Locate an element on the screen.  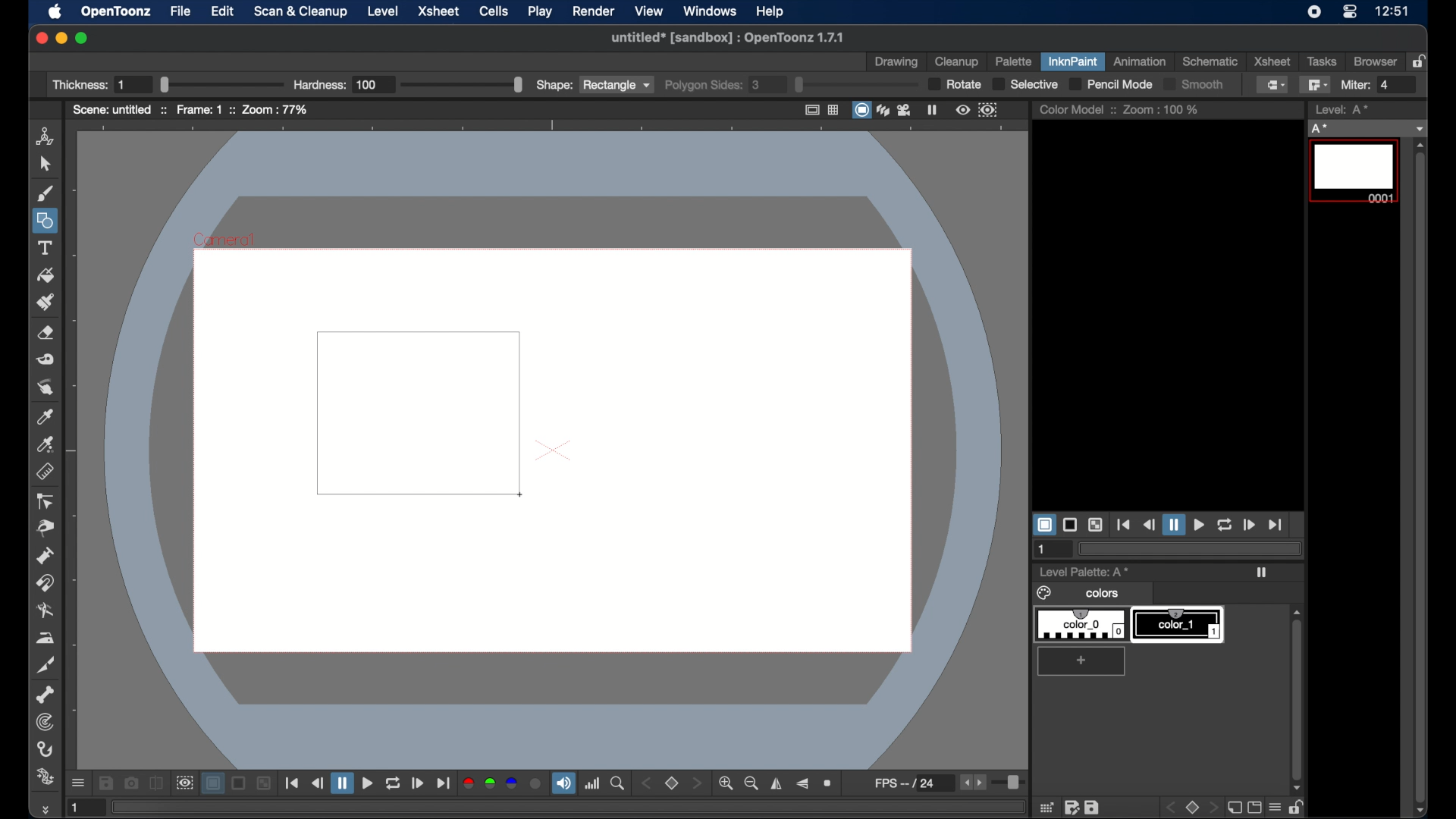
black background is located at coordinates (240, 783).